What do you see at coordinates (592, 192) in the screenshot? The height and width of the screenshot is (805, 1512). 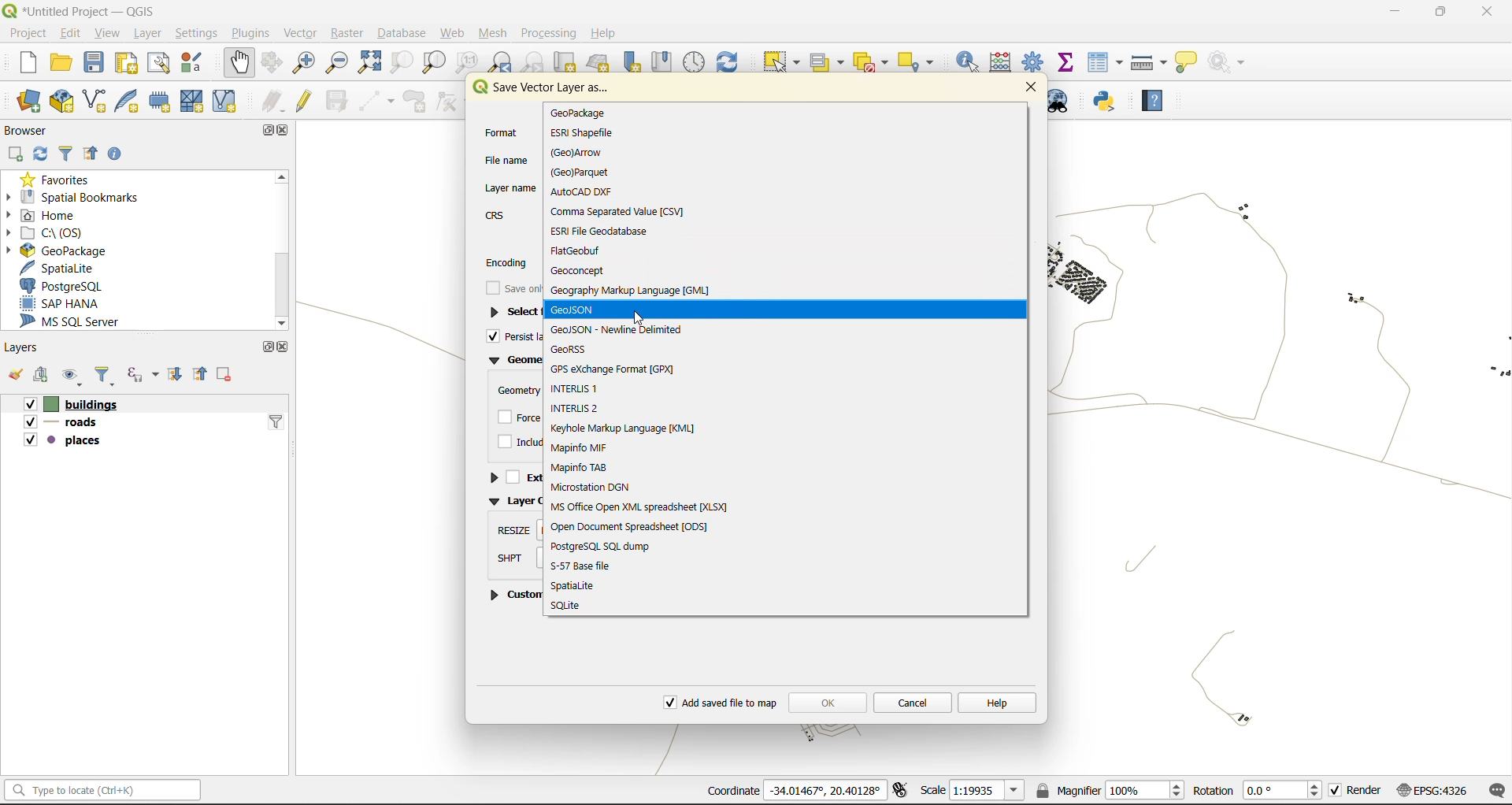 I see `autocad` at bounding box center [592, 192].